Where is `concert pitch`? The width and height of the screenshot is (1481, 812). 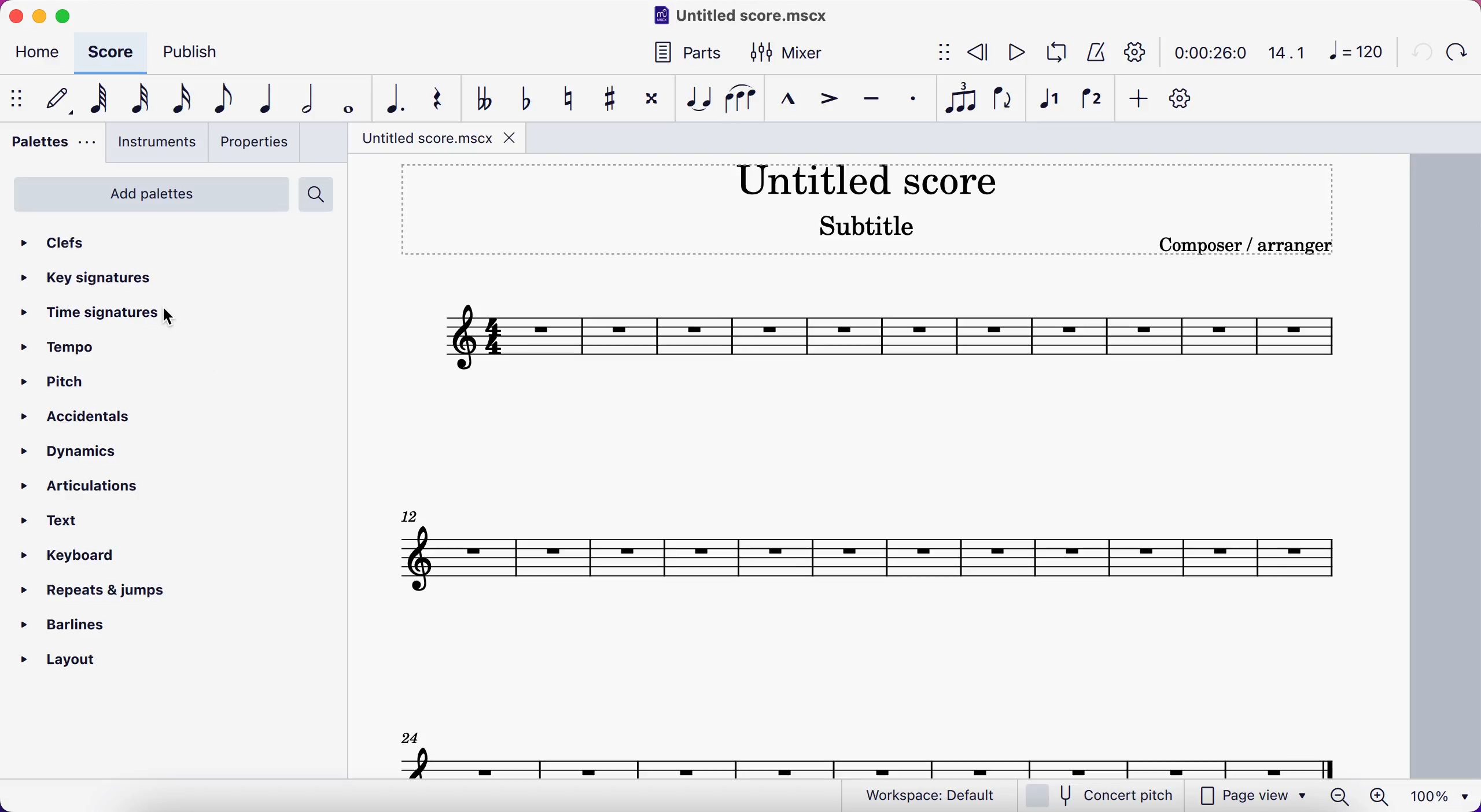 concert pitch is located at coordinates (1099, 795).